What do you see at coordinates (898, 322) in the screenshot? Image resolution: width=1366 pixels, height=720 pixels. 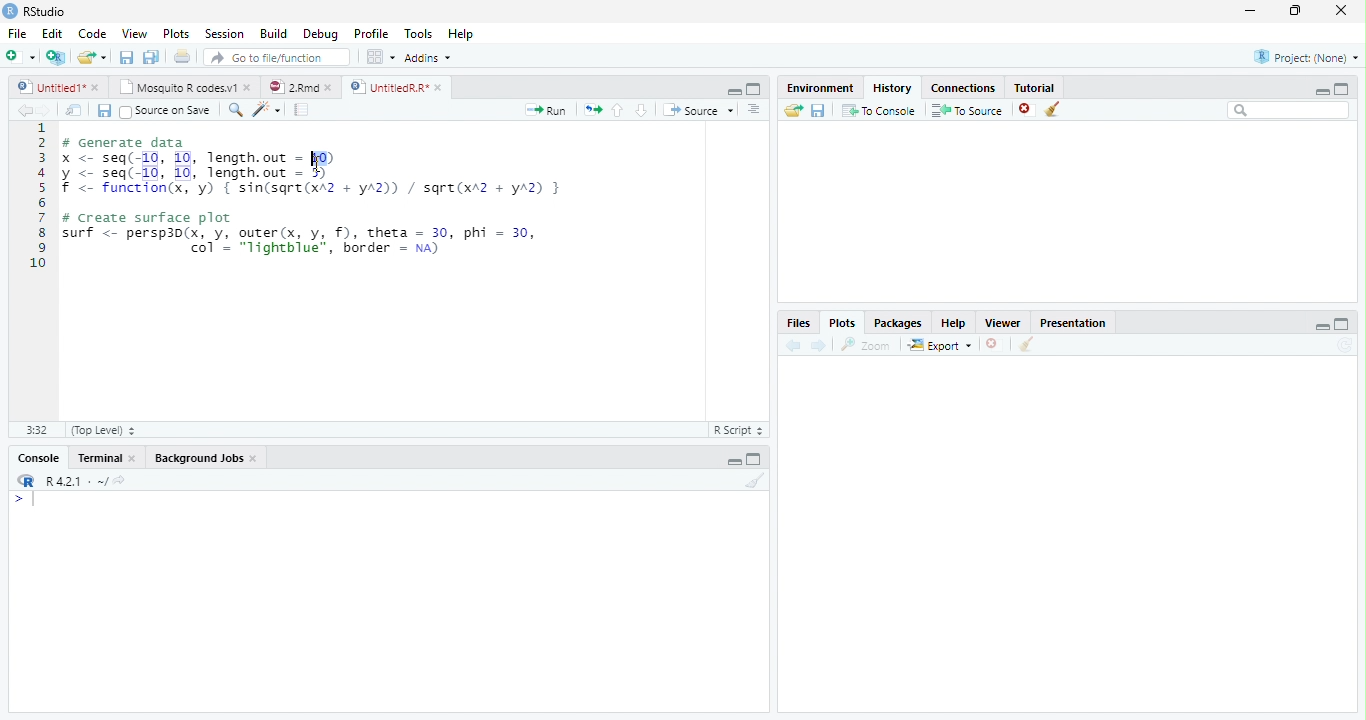 I see `Packages` at bounding box center [898, 322].